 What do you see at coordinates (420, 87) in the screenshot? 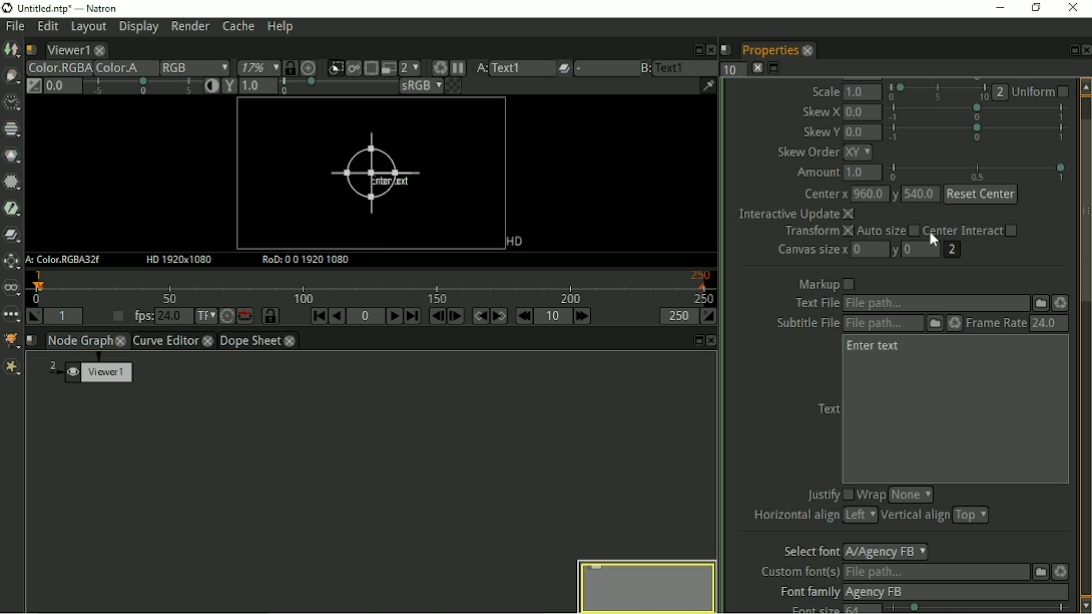
I see `sRGB` at bounding box center [420, 87].